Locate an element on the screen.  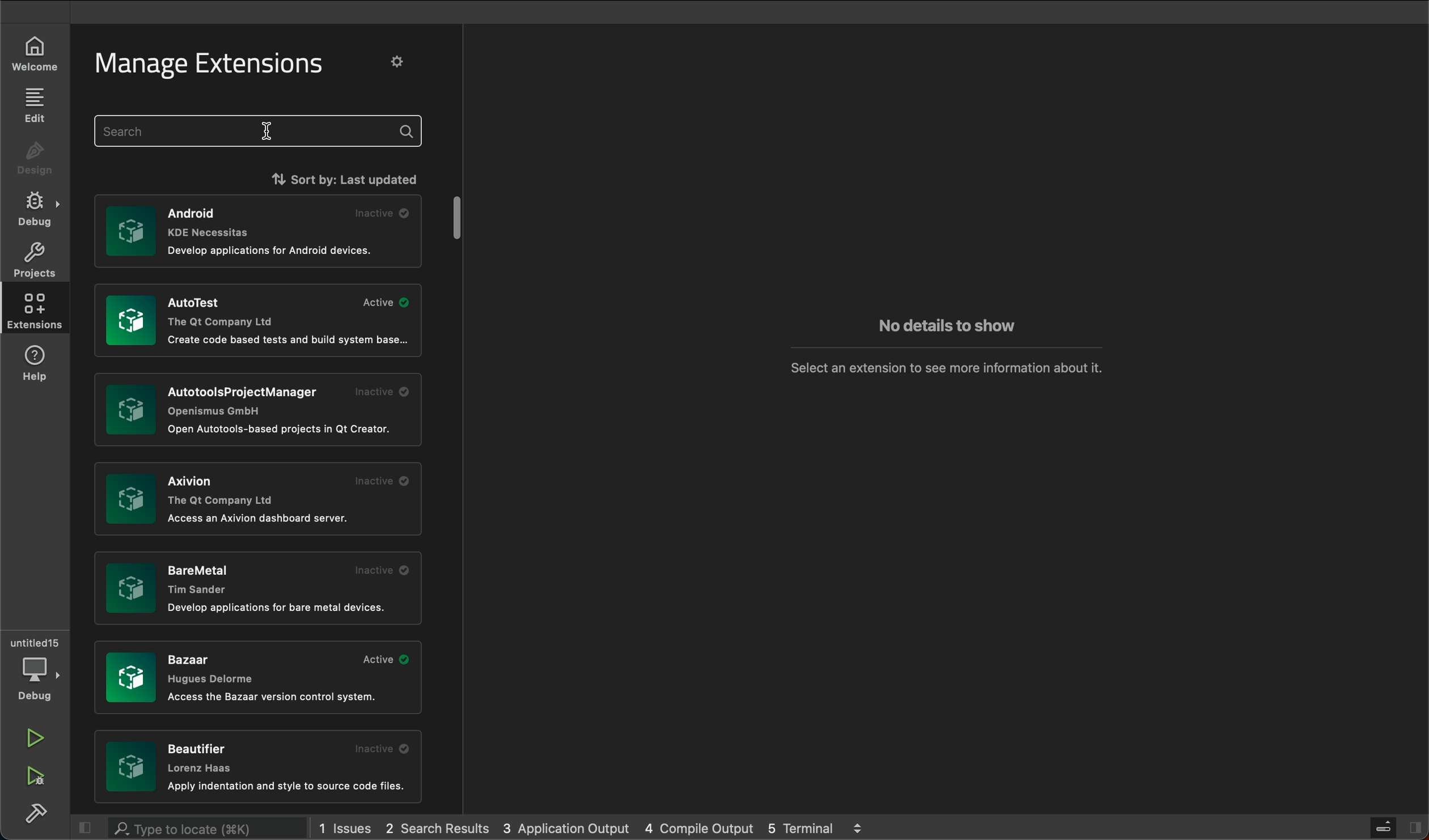
design is located at coordinates (34, 161).